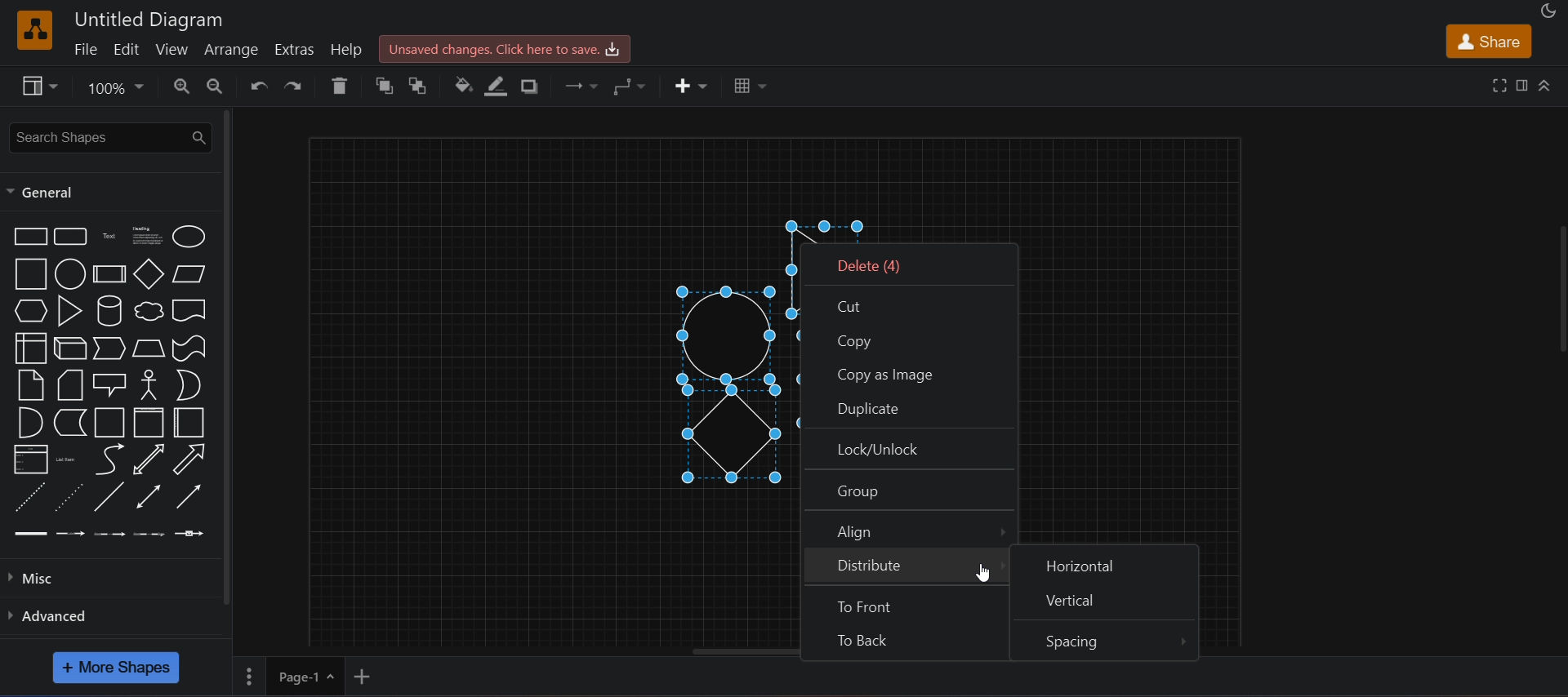 The height and width of the screenshot is (697, 1568). I want to click on search shapes, so click(109, 136).